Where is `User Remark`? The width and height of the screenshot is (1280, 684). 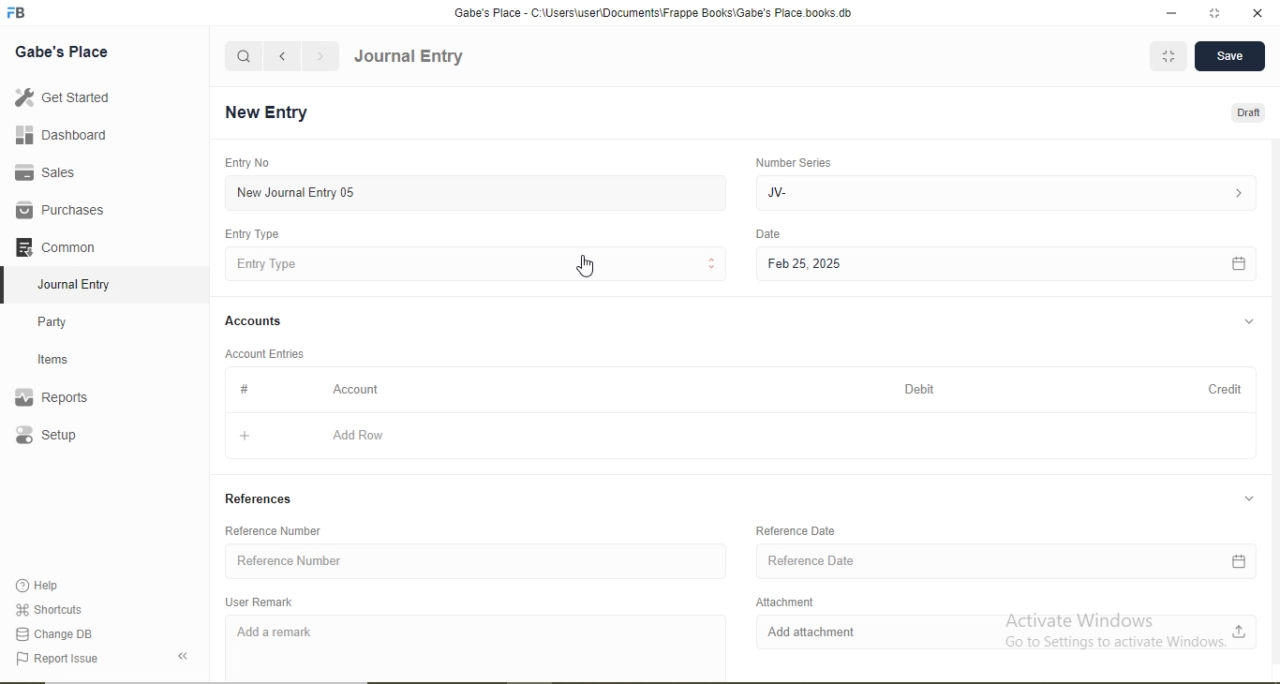 User Remark is located at coordinates (262, 601).